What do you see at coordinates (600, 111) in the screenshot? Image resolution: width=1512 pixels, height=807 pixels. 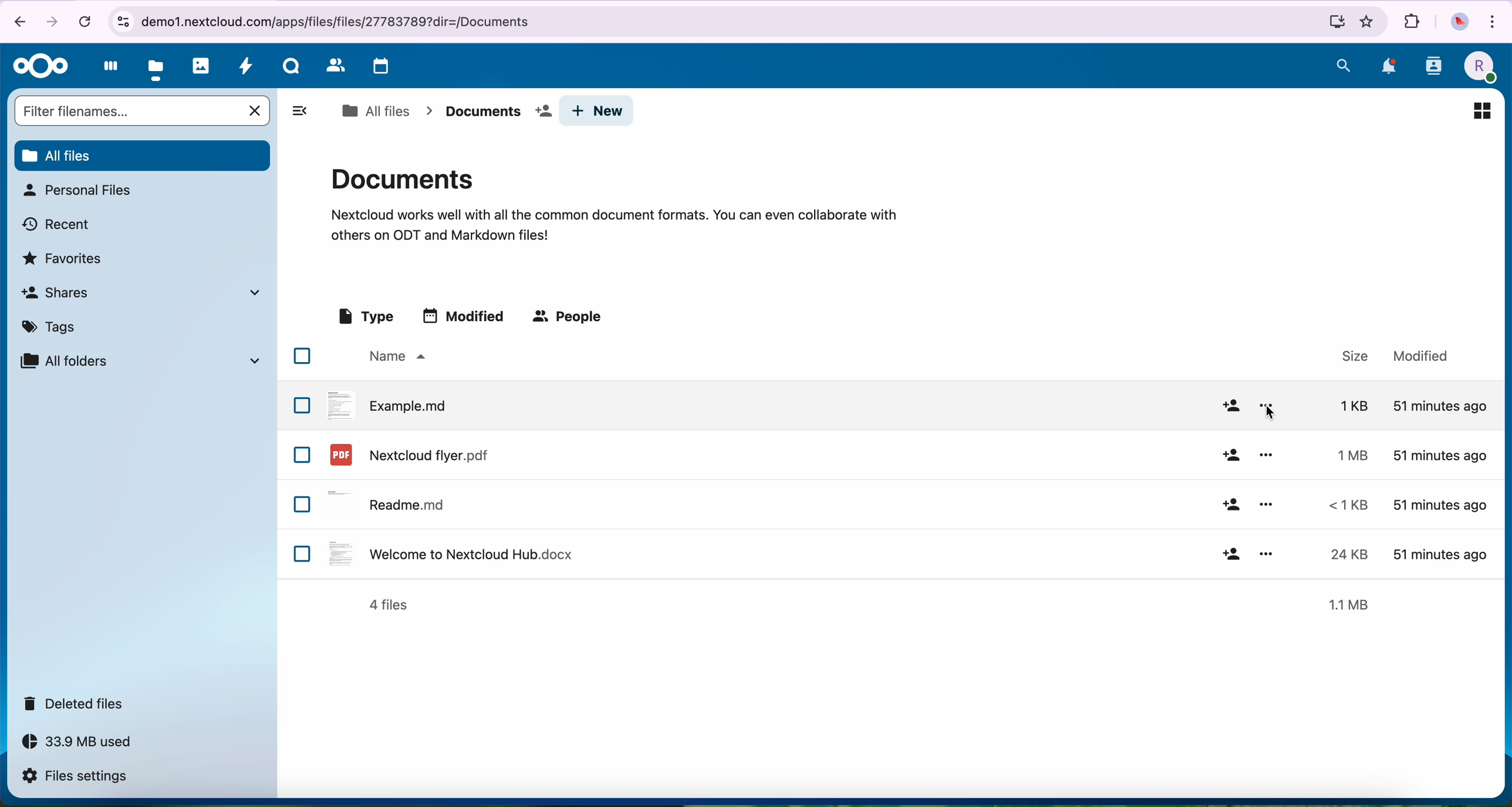 I see `new button` at bounding box center [600, 111].